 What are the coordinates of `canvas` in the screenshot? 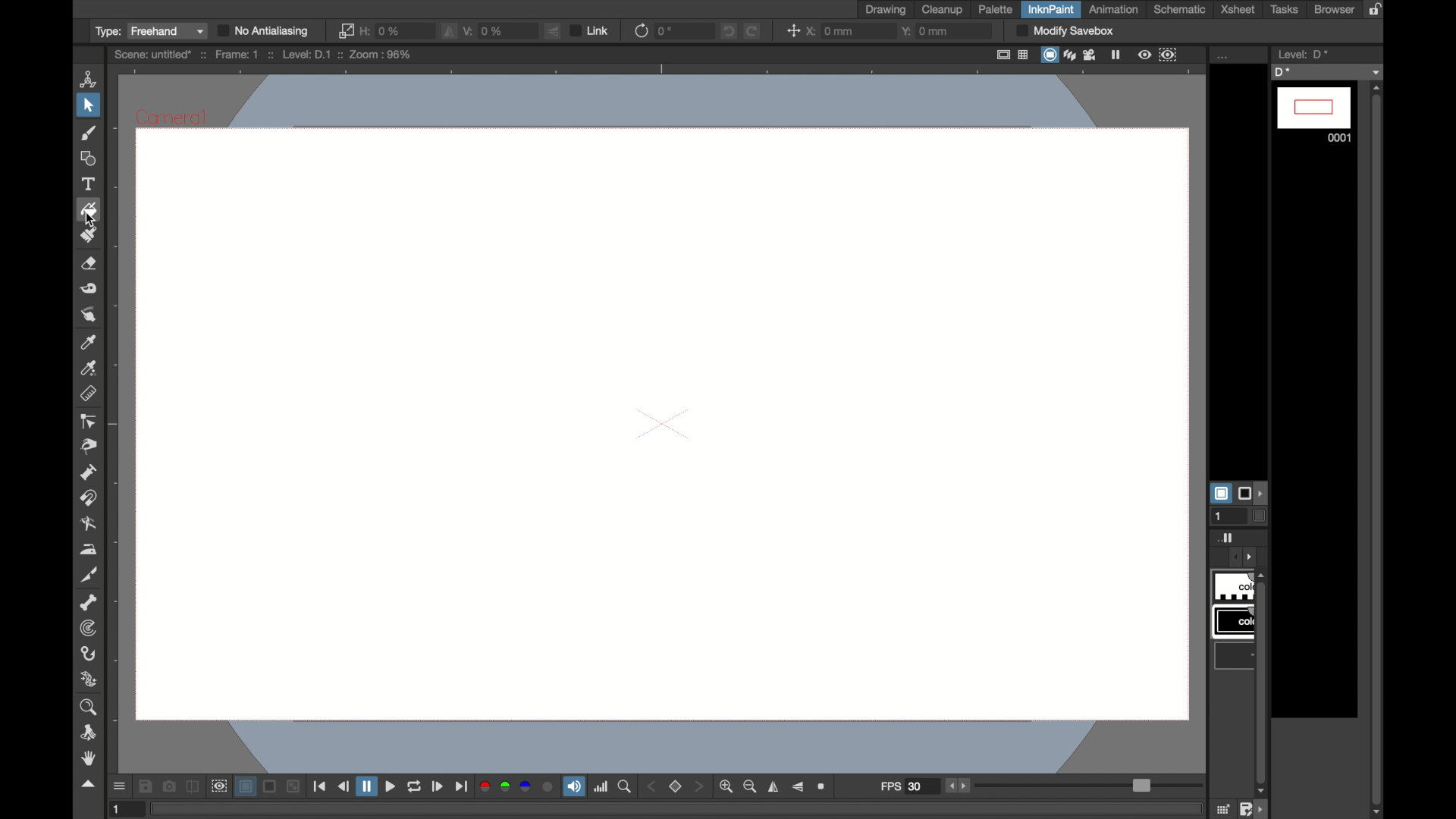 It's located at (658, 424).